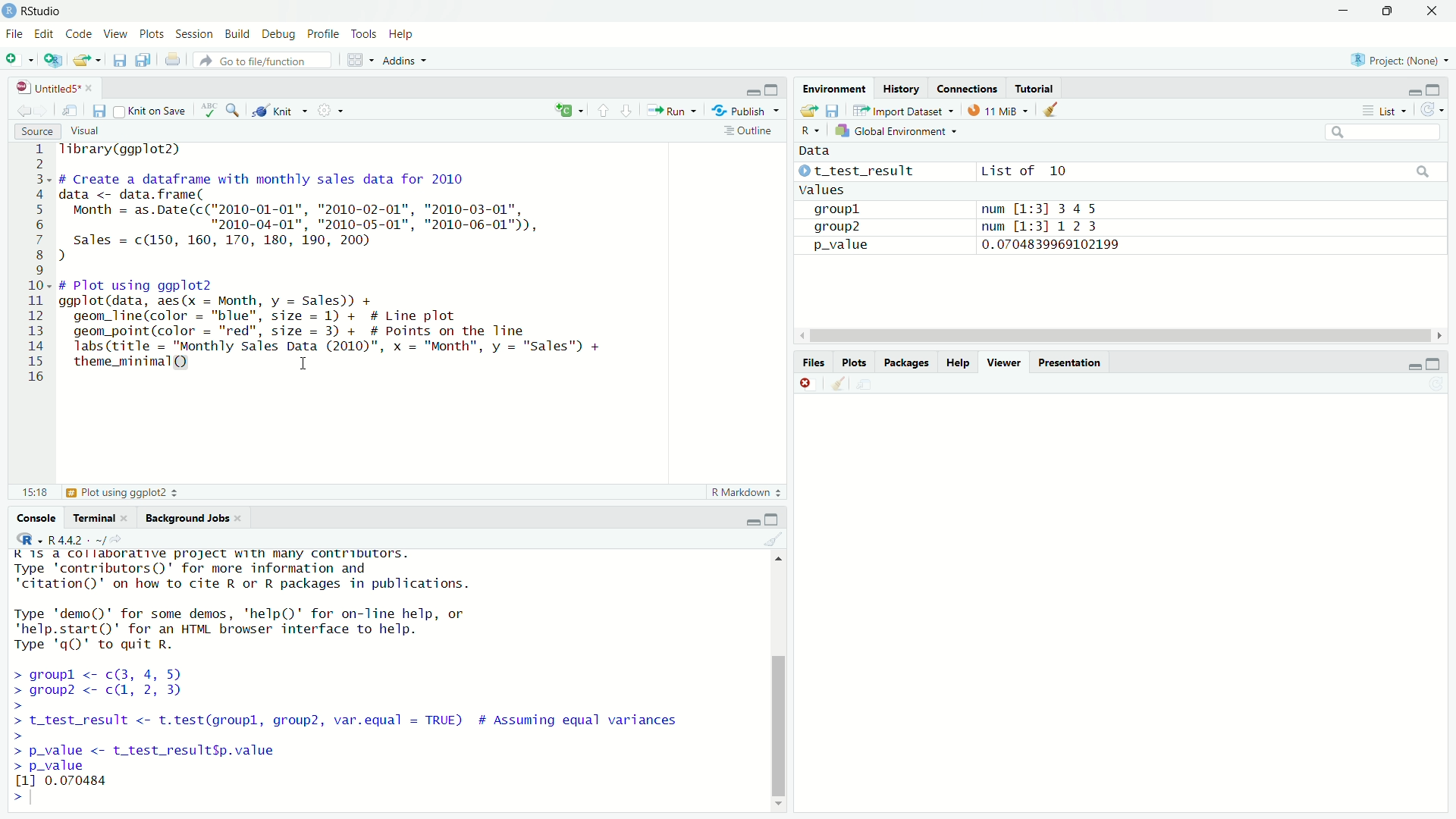 This screenshot has height=819, width=1456. What do you see at coordinates (207, 110) in the screenshot?
I see `check` at bounding box center [207, 110].